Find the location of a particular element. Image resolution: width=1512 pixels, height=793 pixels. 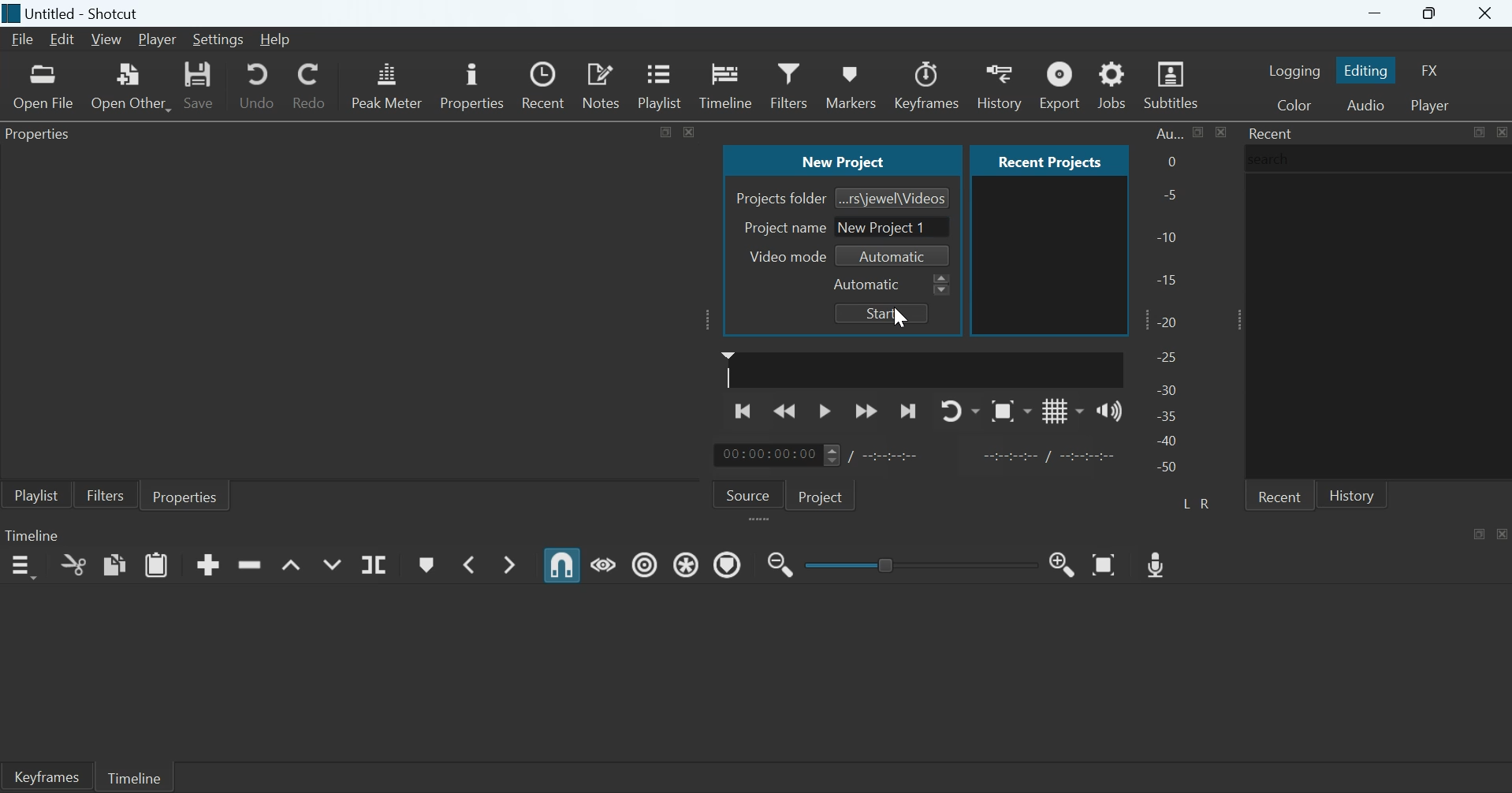

Timeline time is located at coordinates (766, 455).